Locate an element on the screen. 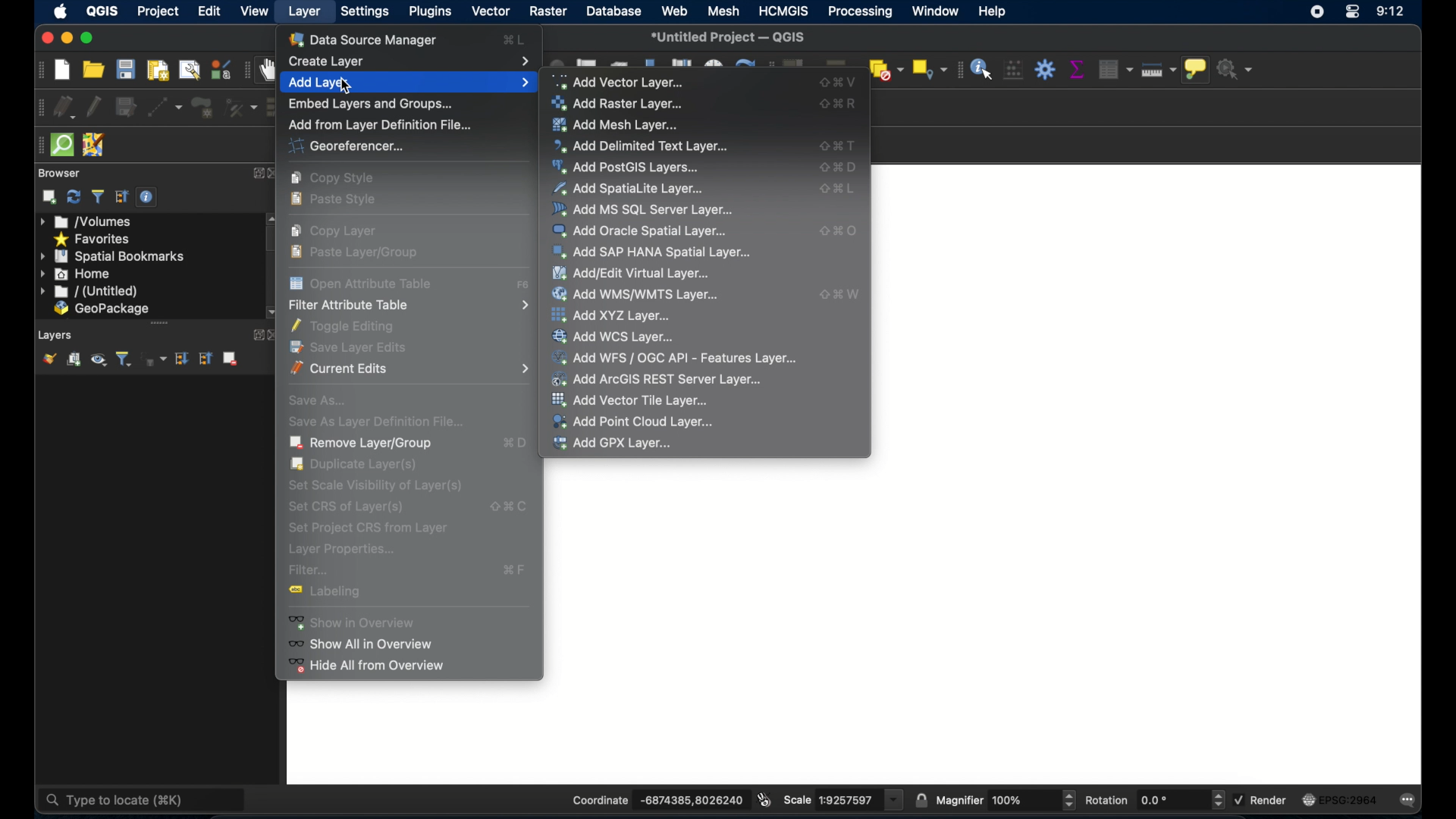 The width and height of the screenshot is (1456, 819). Add Layer is located at coordinates (409, 83).